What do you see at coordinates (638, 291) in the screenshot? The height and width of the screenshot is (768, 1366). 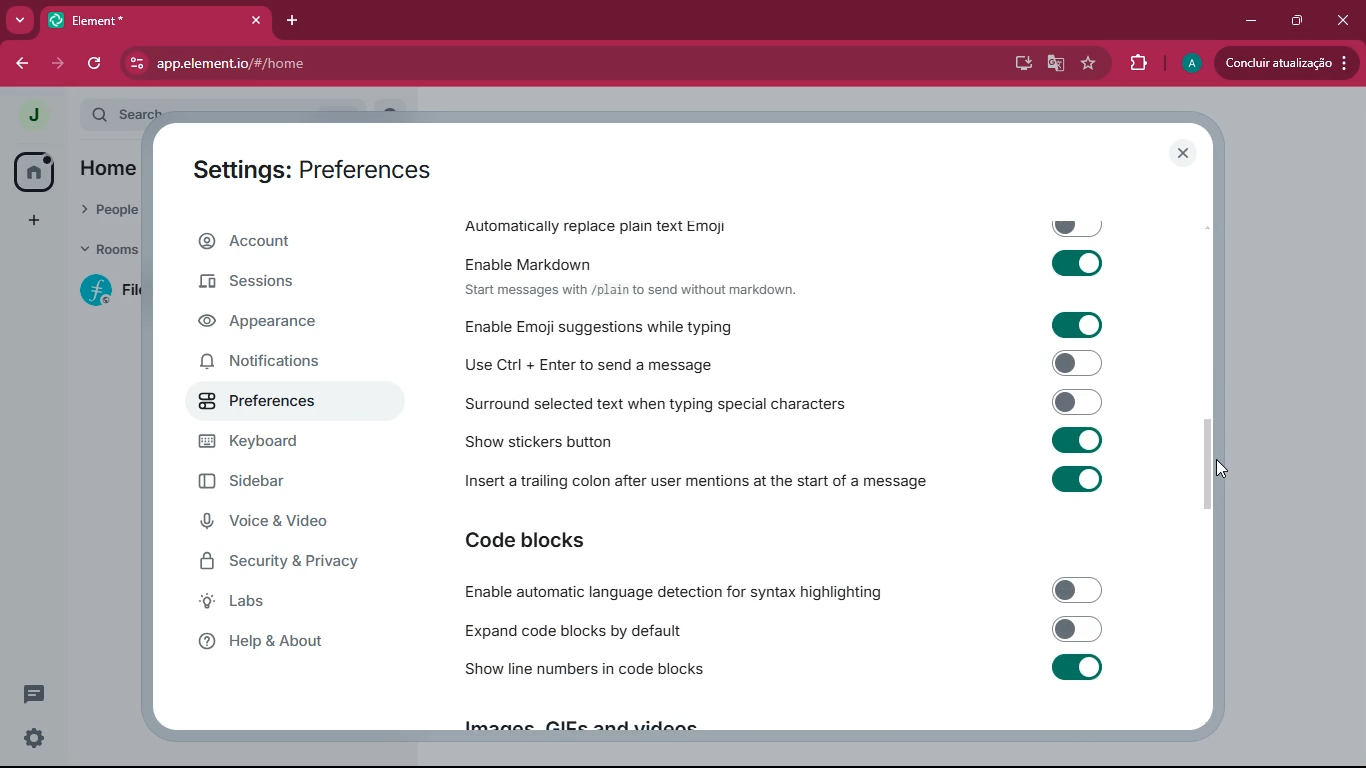 I see `‘Start messages with /plain to send without markdown.` at bounding box center [638, 291].